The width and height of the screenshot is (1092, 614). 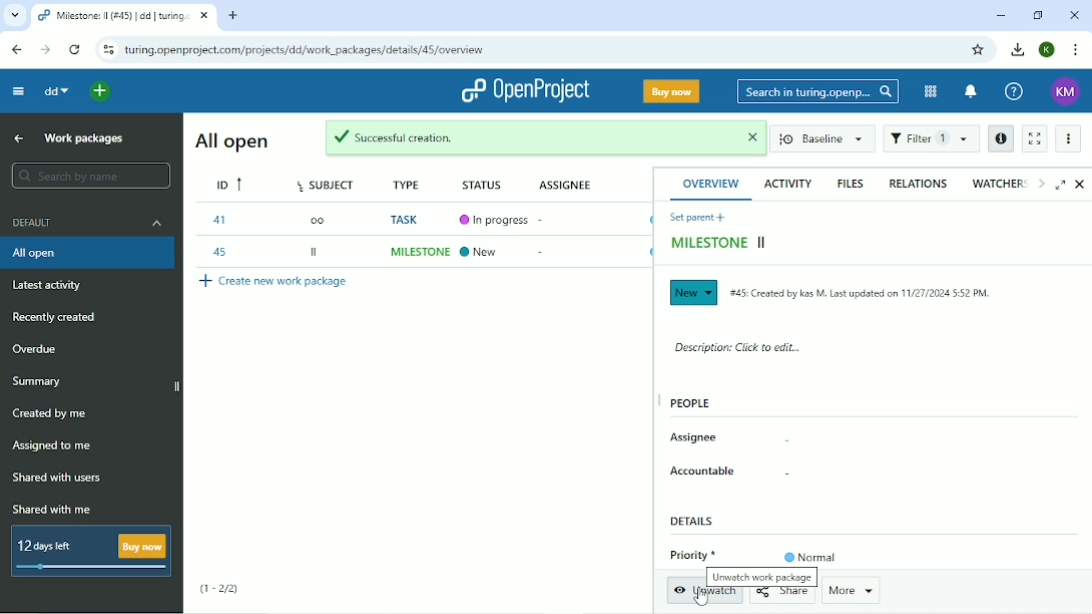 What do you see at coordinates (49, 509) in the screenshot?
I see `Shared with me` at bounding box center [49, 509].